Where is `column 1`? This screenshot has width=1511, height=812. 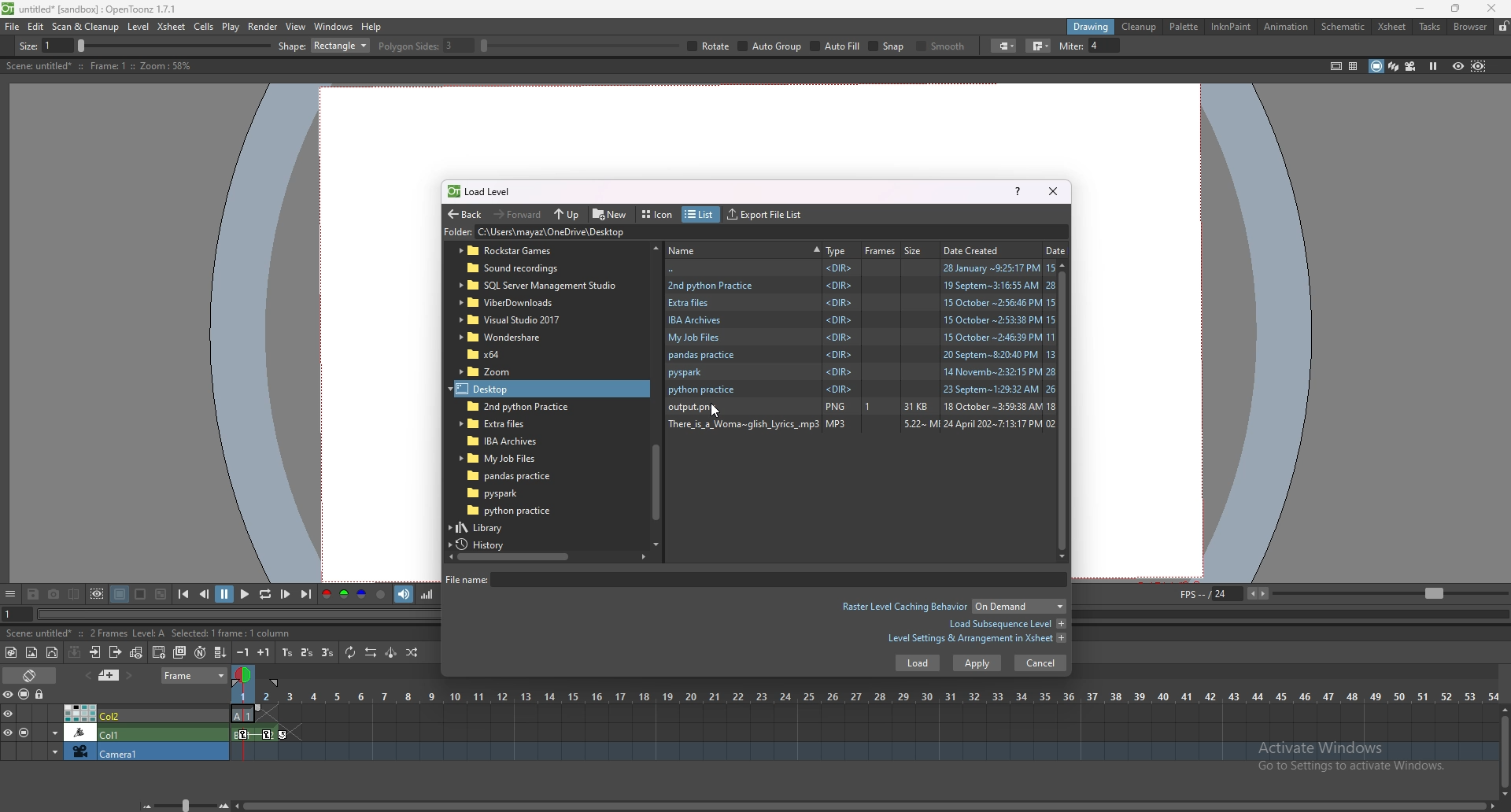
column 1 is located at coordinates (115, 732).